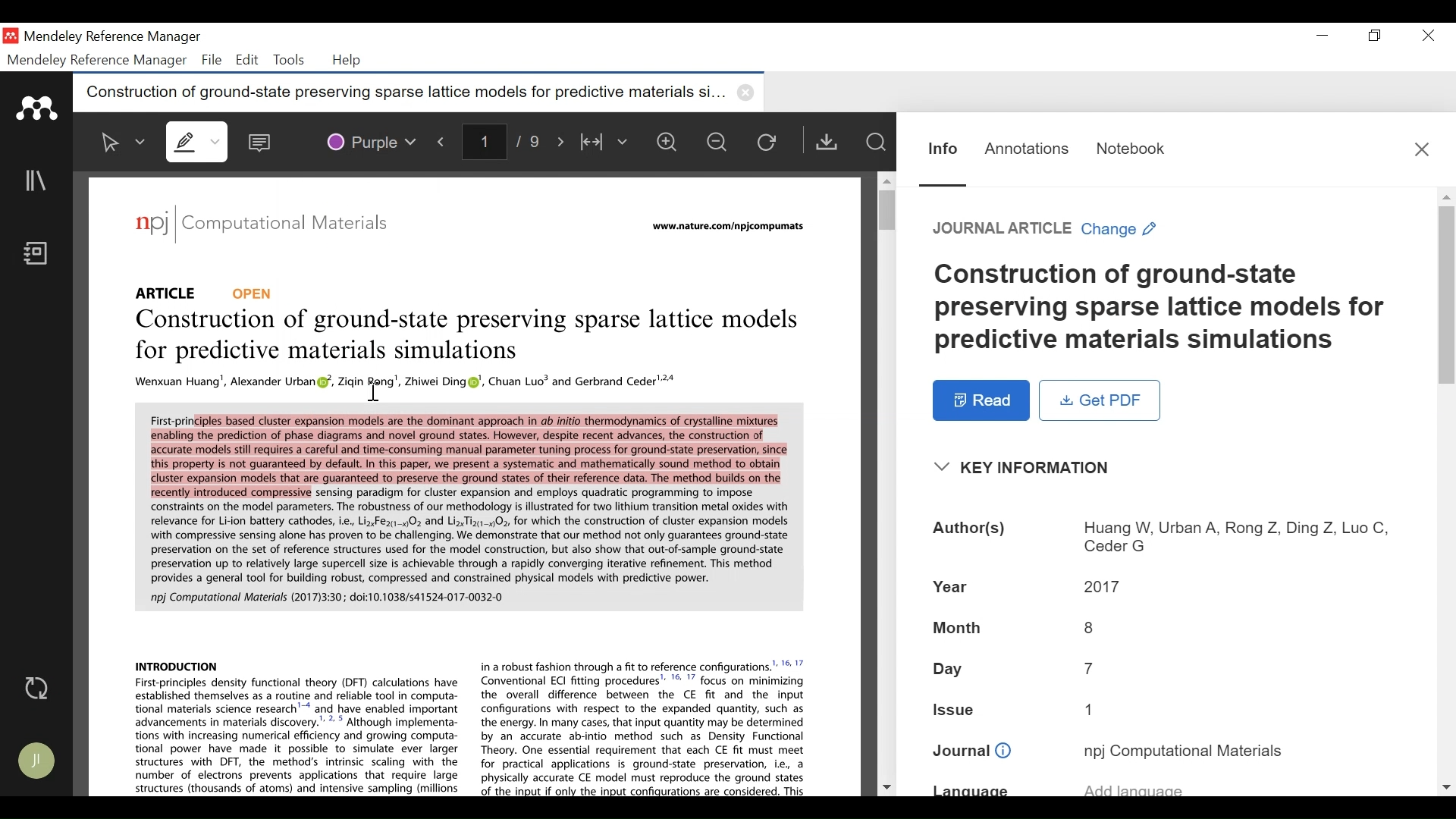 This screenshot has height=819, width=1456. I want to click on Construction of ground-state preserving sparse  lattice models for predictive simulations, so click(466, 334).